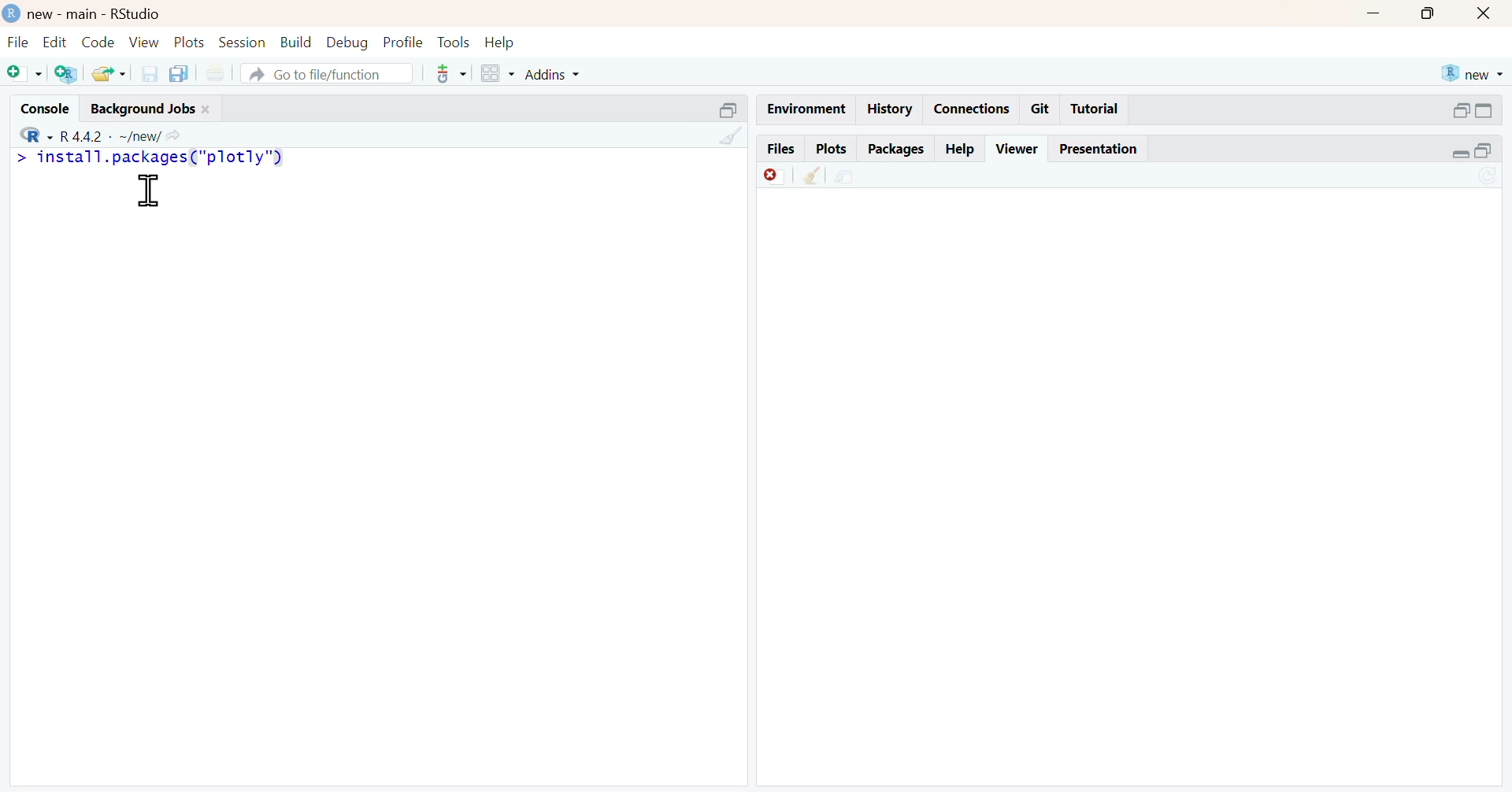  What do you see at coordinates (1095, 111) in the screenshot?
I see `tutorial` at bounding box center [1095, 111].